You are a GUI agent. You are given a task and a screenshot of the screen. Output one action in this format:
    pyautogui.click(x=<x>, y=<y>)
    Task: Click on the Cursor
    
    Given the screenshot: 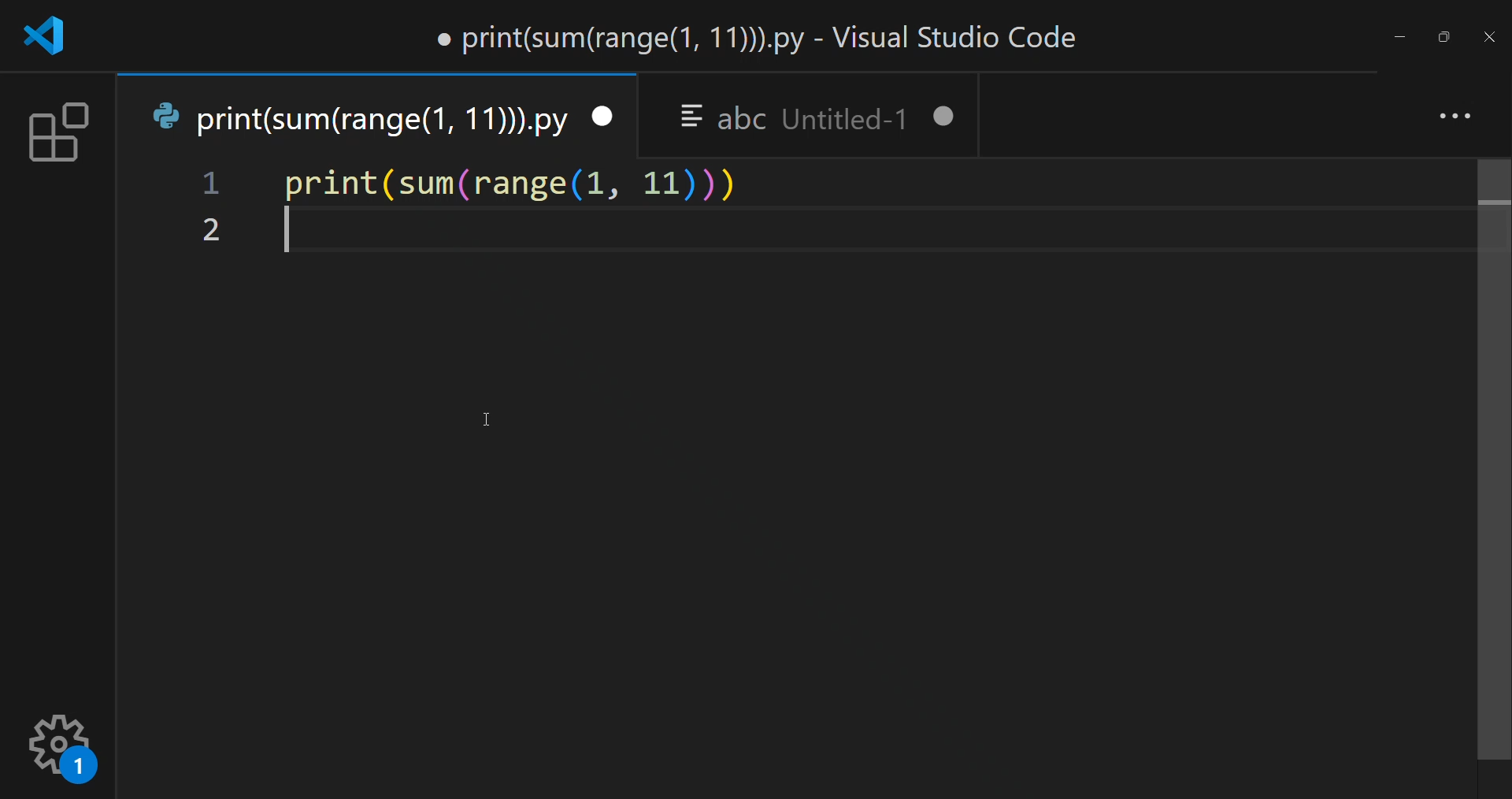 What is the action you would take?
    pyautogui.click(x=492, y=418)
    